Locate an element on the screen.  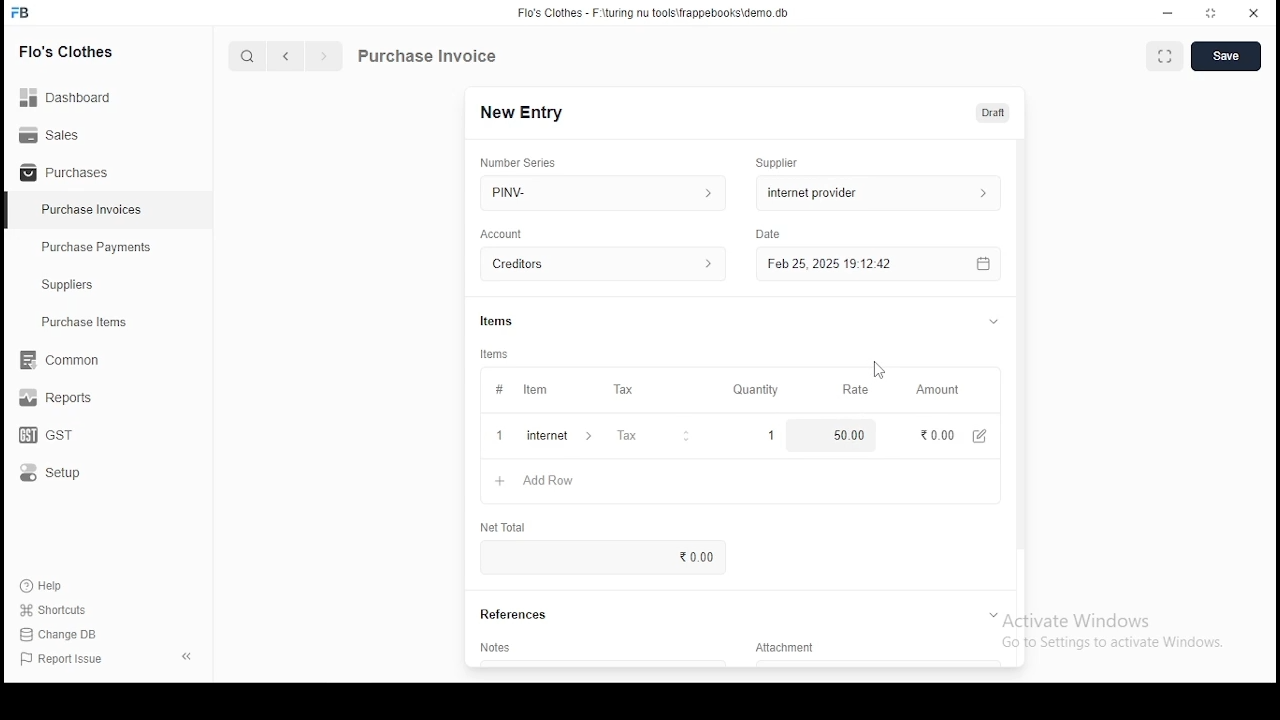
icon is located at coordinates (21, 13).